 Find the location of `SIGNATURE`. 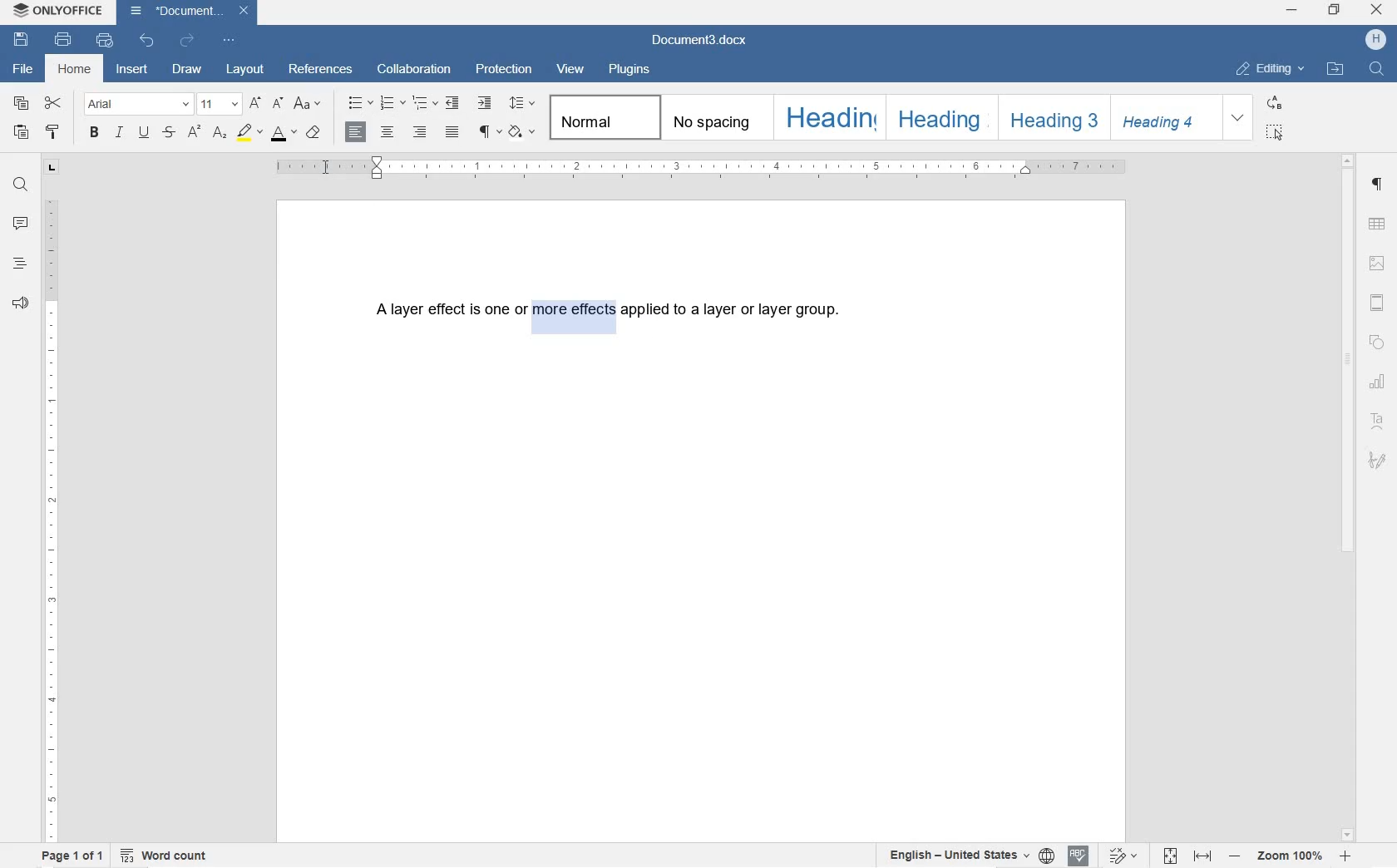

SIGNATURE is located at coordinates (1378, 458).